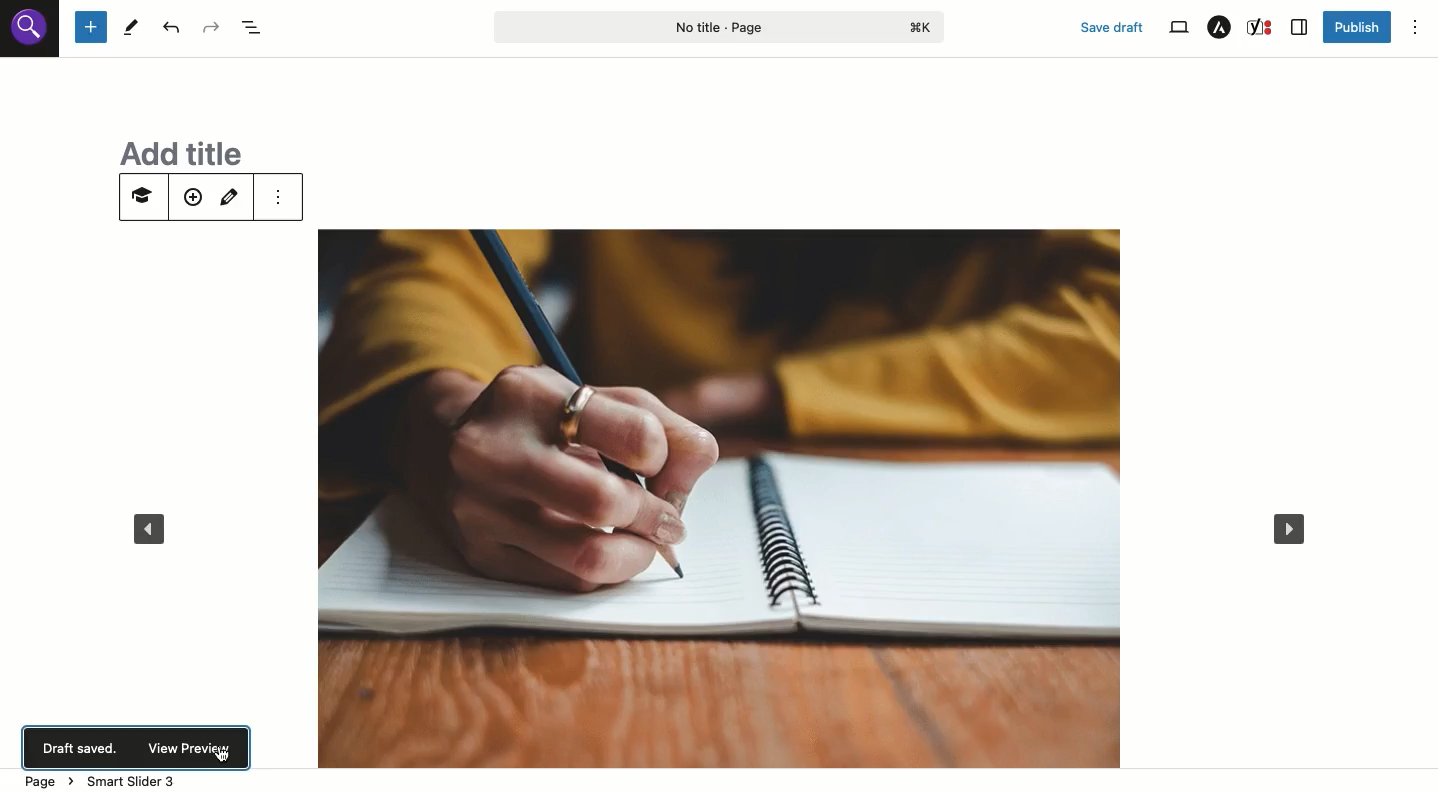 The image size is (1438, 792). What do you see at coordinates (91, 28) in the screenshot?
I see `Add block` at bounding box center [91, 28].